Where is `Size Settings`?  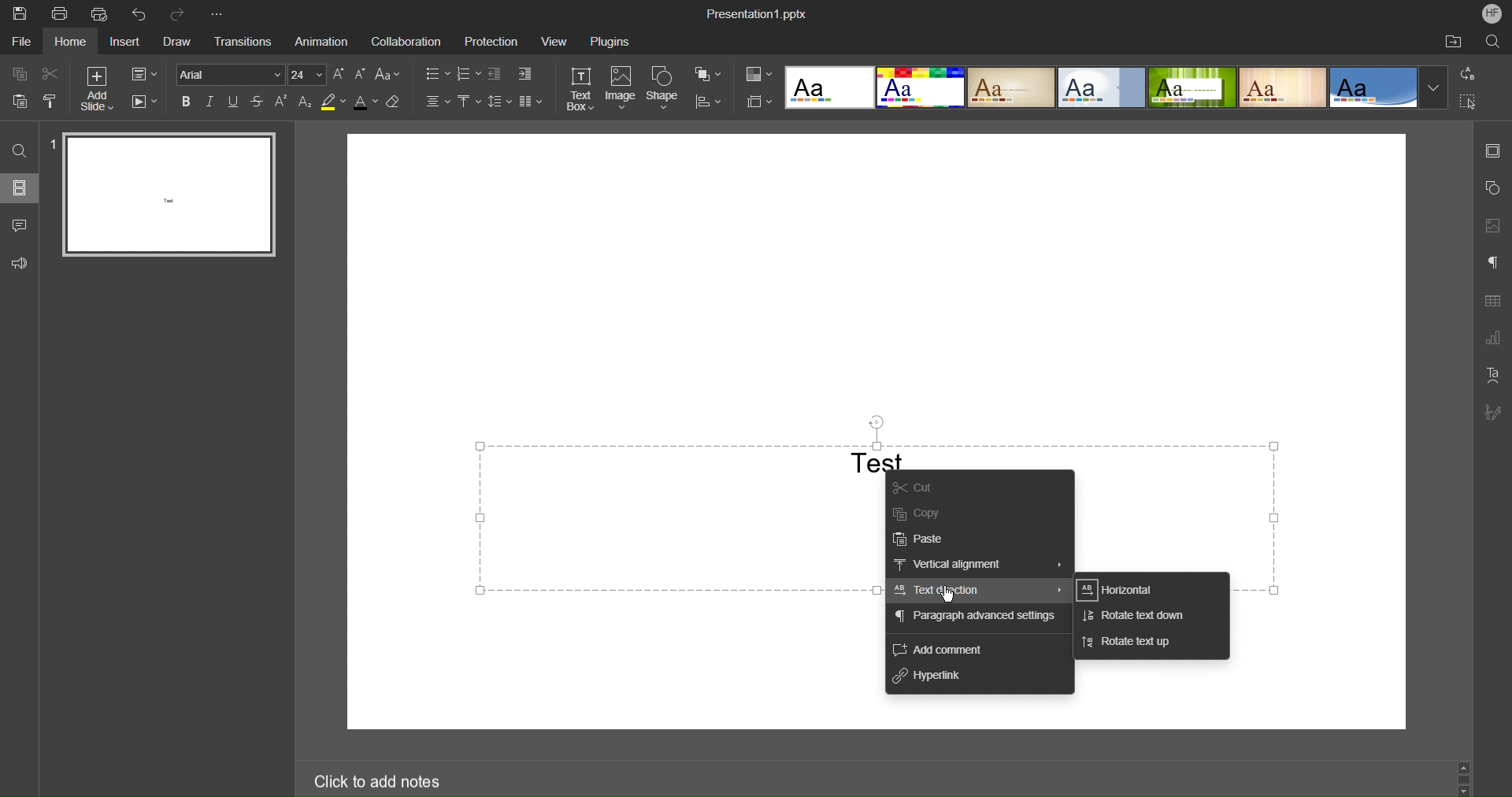 Size Settings is located at coordinates (758, 101).